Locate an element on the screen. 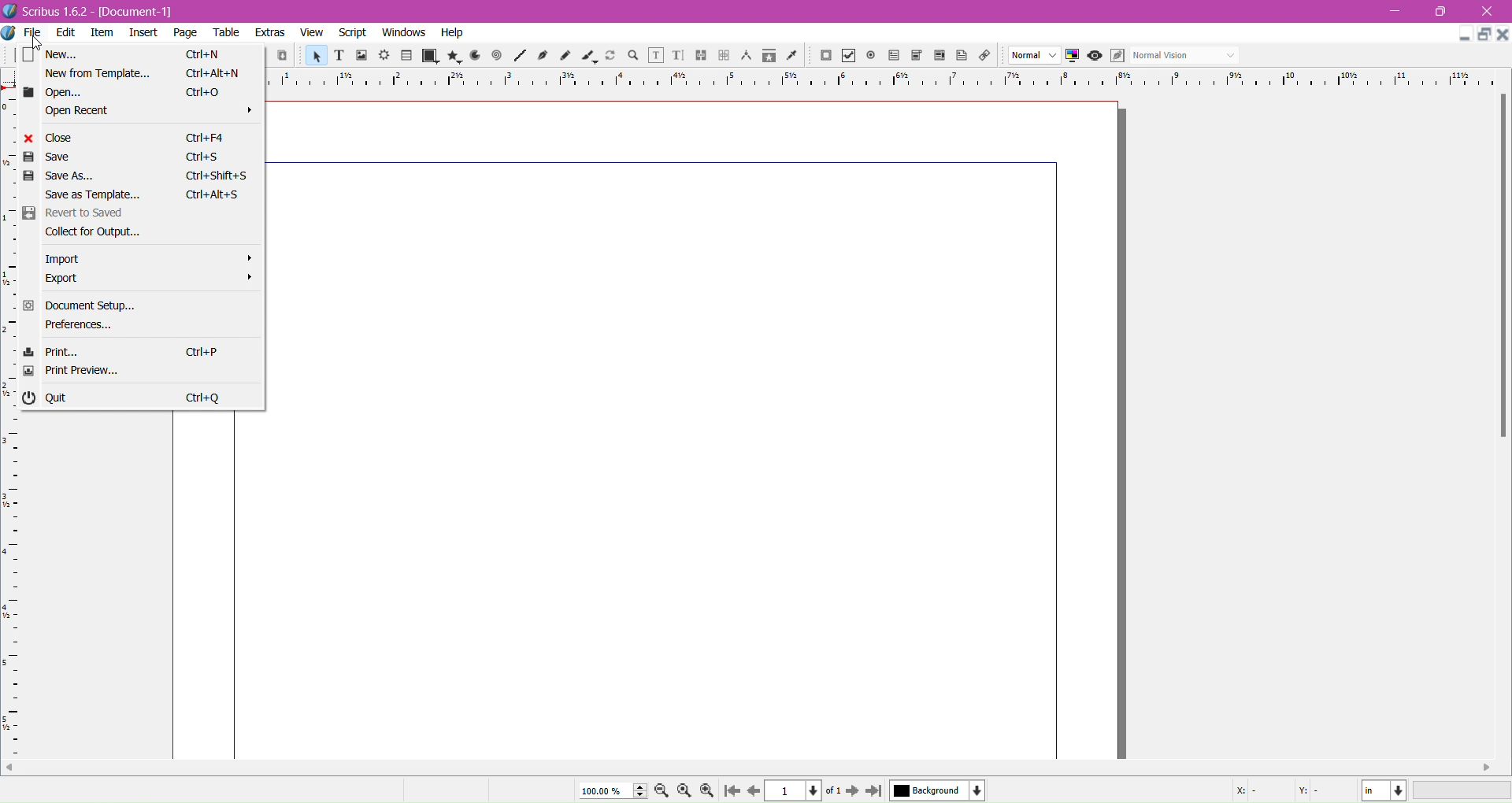 The image size is (1512, 803). Open is located at coordinates (139, 93).